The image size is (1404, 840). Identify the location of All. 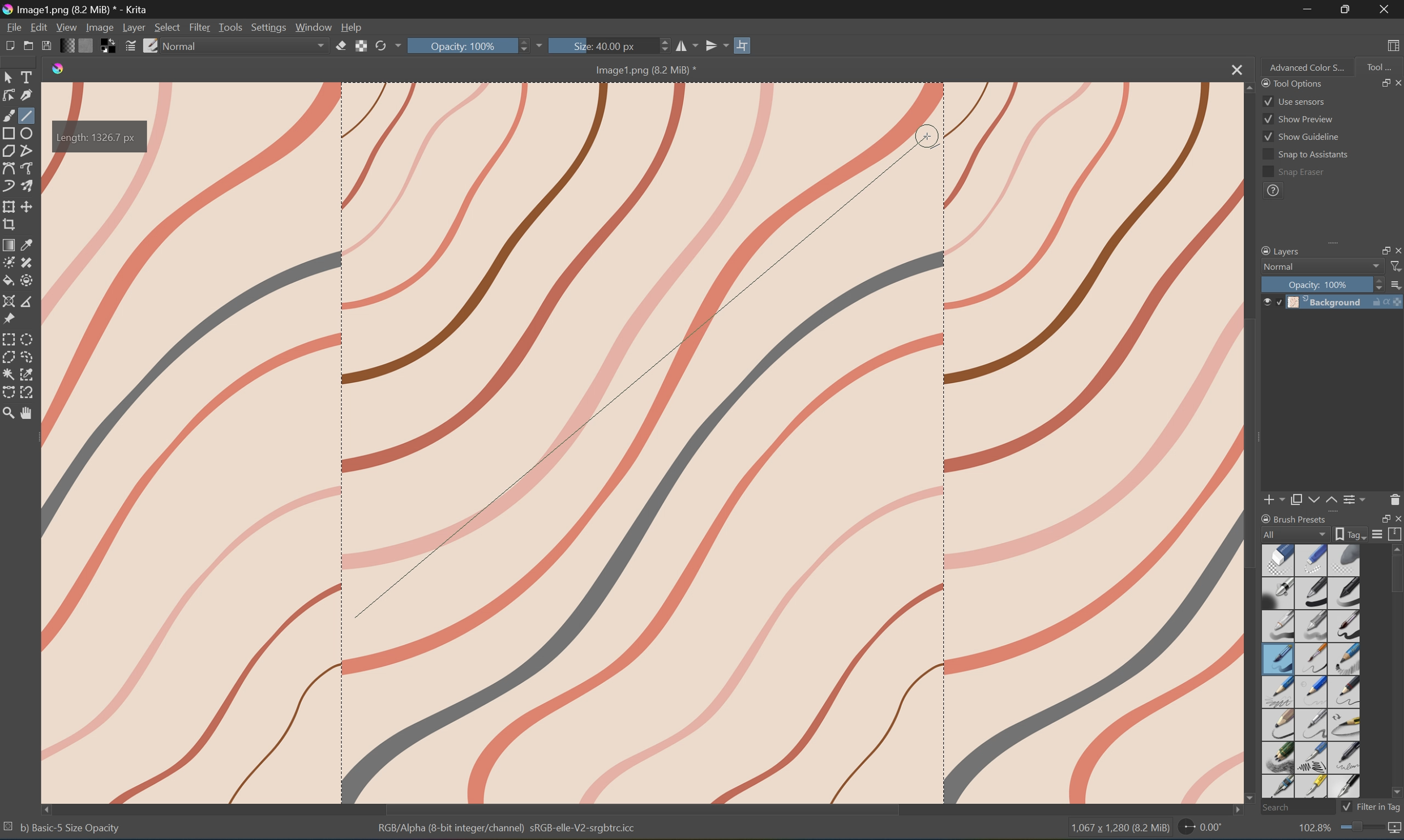
(1295, 533).